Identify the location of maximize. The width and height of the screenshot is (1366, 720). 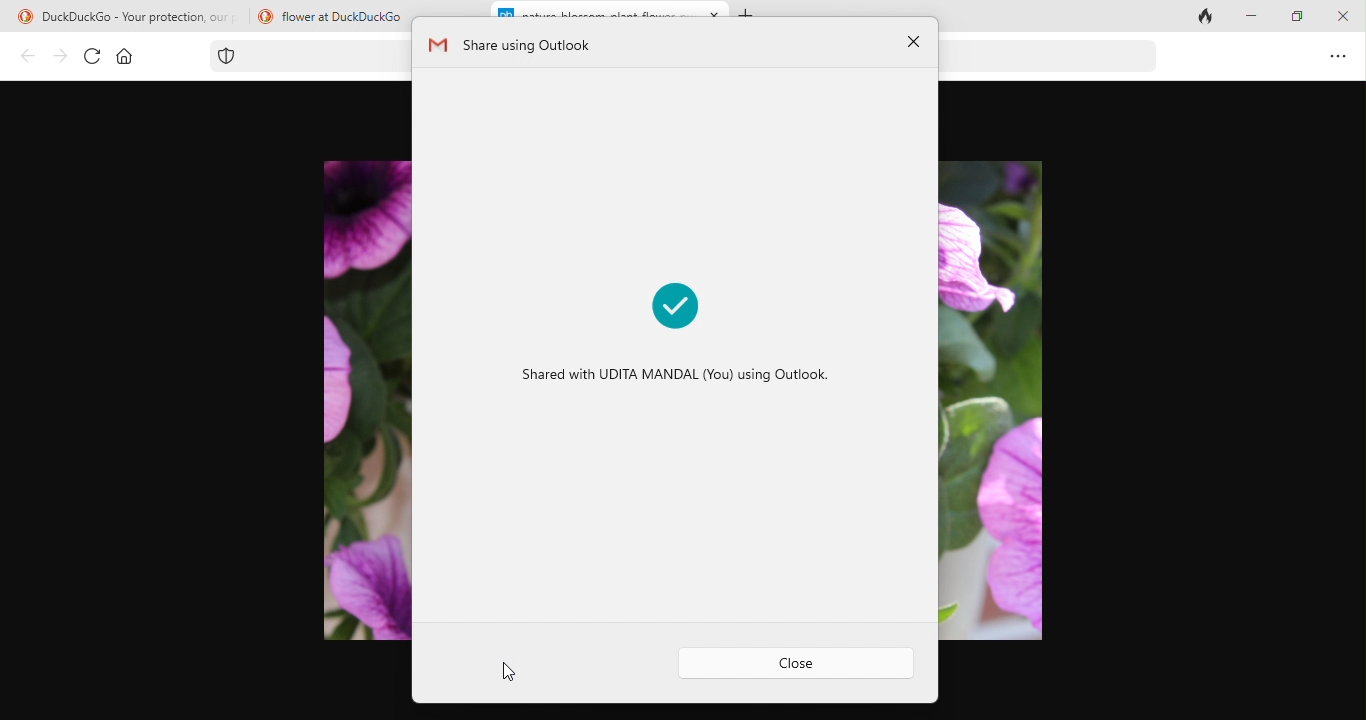
(1293, 21).